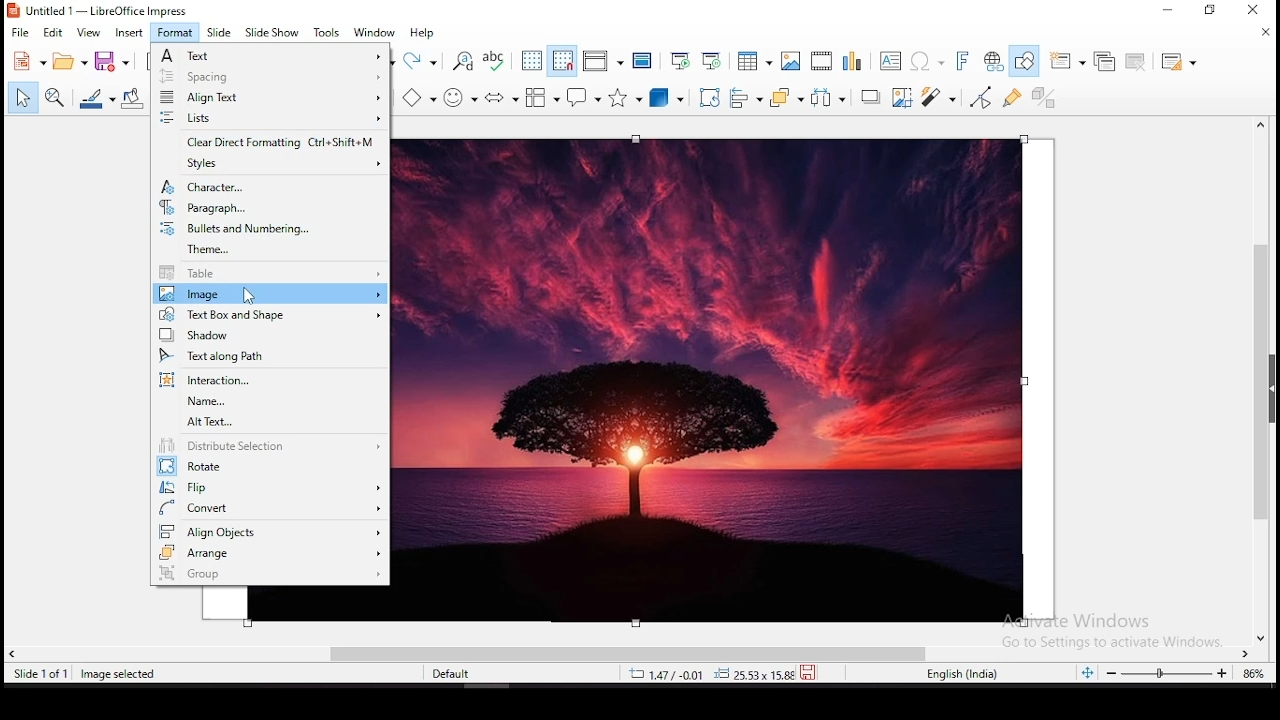 The height and width of the screenshot is (720, 1280). Describe the element at coordinates (271, 55) in the screenshot. I see `text` at that location.